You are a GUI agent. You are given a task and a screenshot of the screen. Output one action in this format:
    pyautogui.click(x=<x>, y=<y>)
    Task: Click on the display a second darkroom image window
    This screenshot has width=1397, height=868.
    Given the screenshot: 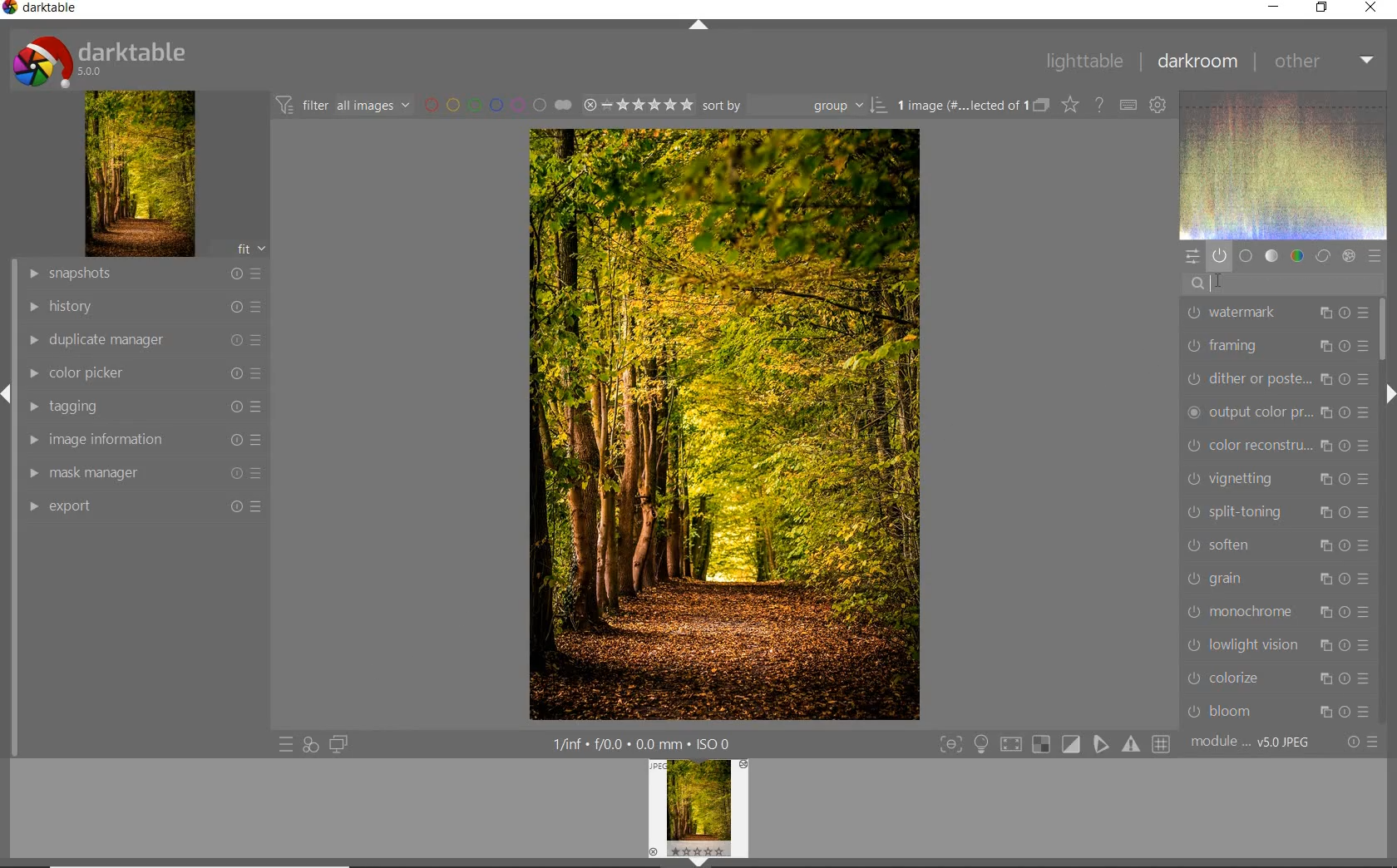 What is the action you would take?
    pyautogui.click(x=335, y=744)
    